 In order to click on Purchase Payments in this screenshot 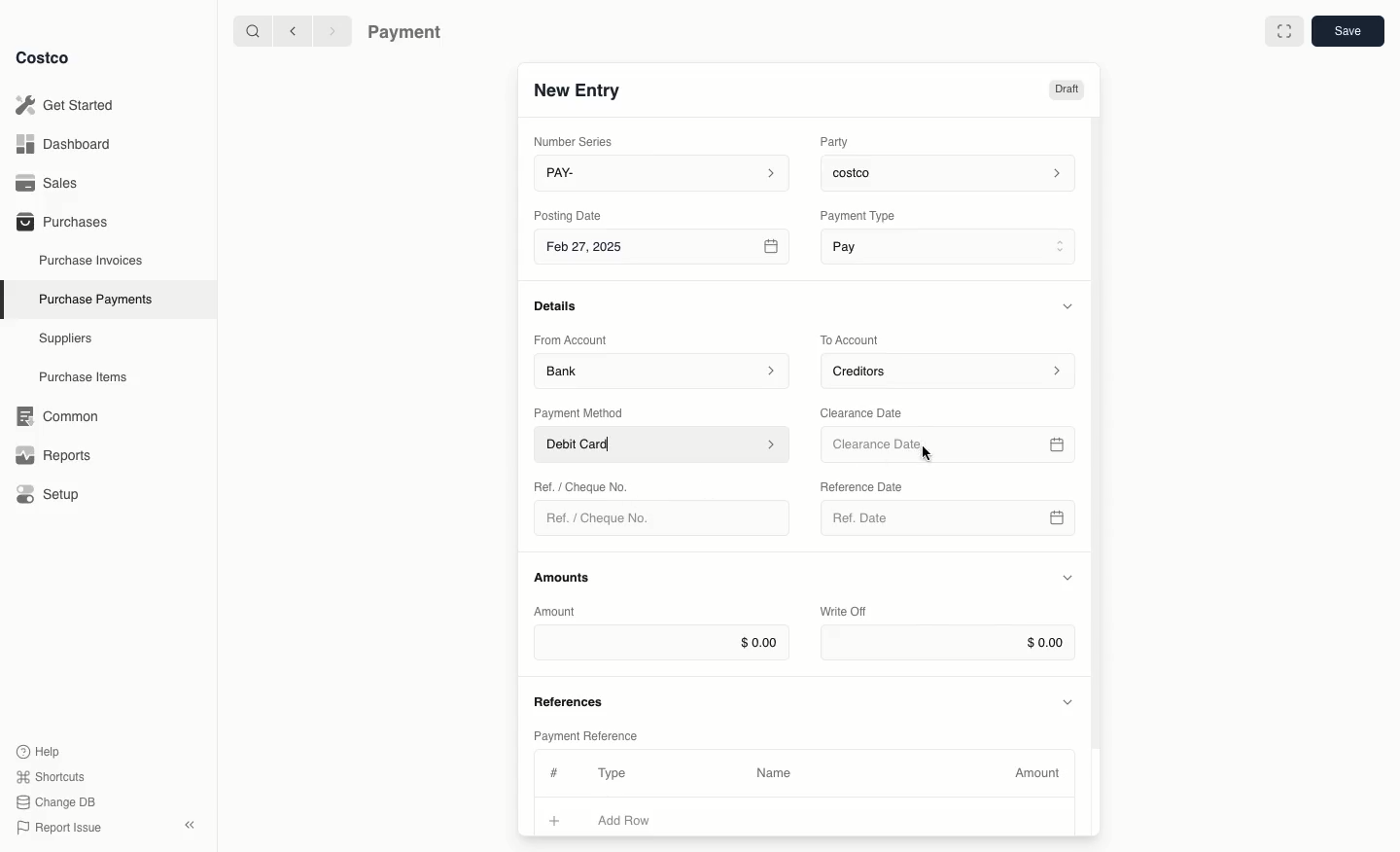, I will do `click(94, 298)`.